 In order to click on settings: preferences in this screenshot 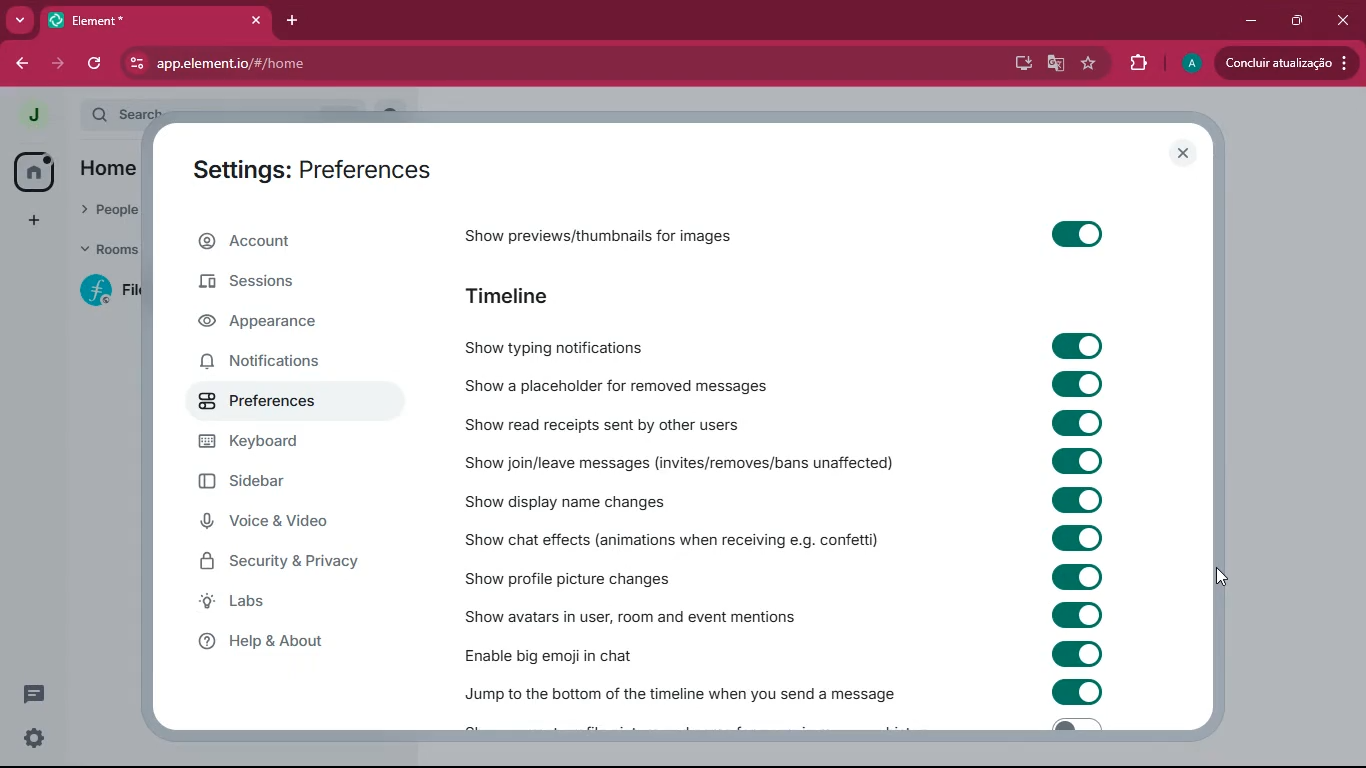, I will do `click(318, 170)`.